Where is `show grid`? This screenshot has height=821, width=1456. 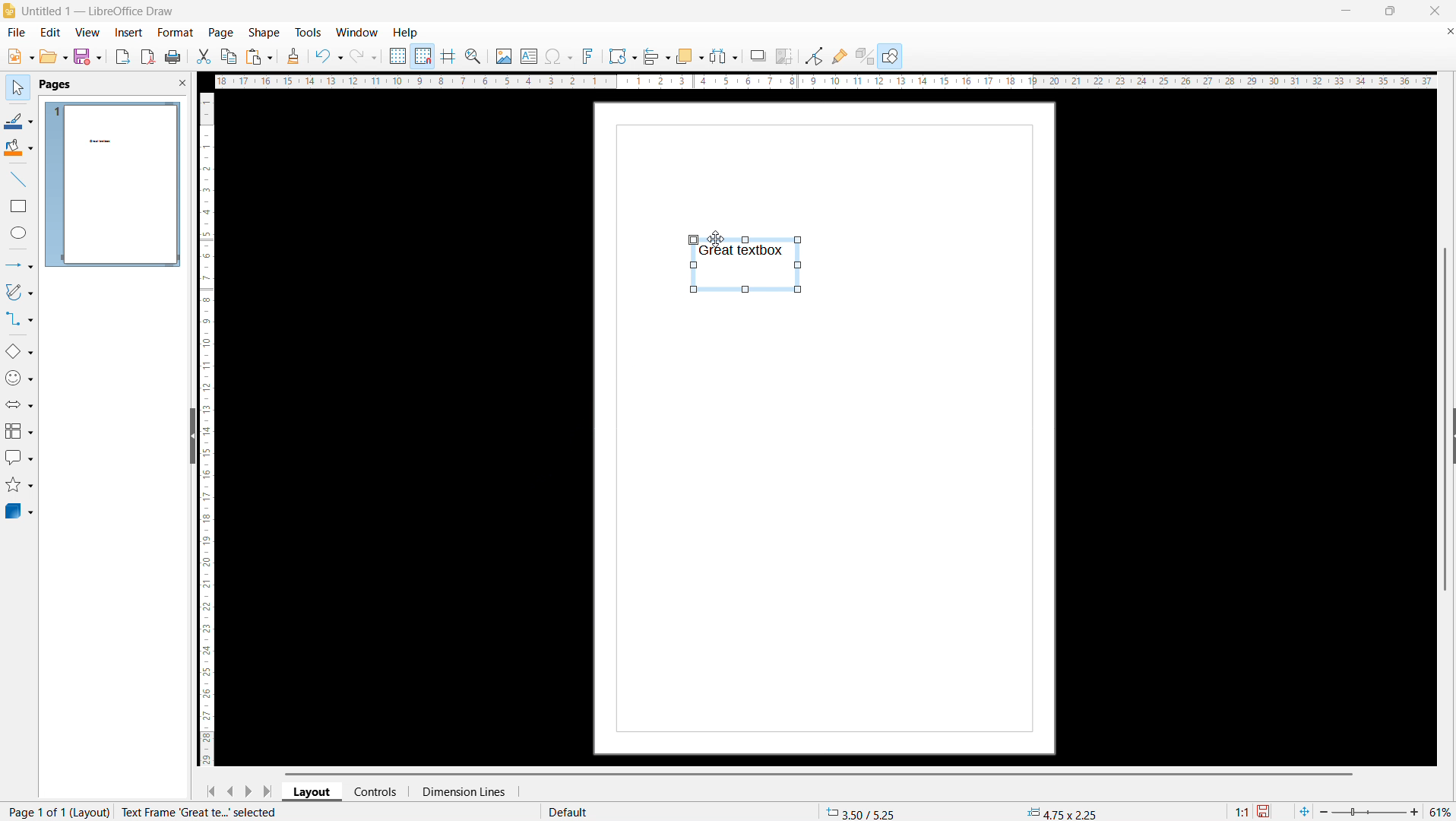
show grid is located at coordinates (397, 55).